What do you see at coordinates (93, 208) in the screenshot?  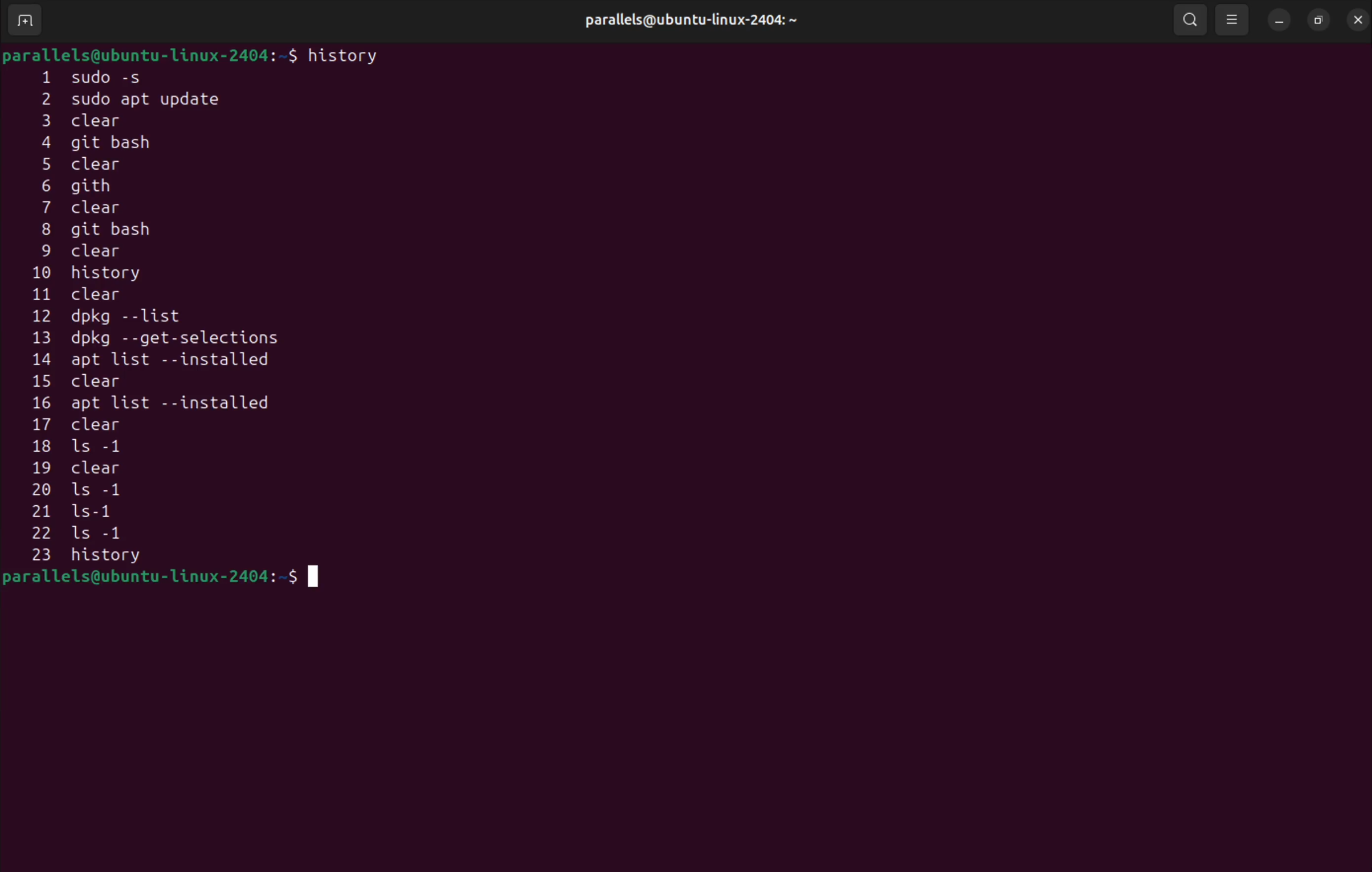 I see `7 clear` at bounding box center [93, 208].